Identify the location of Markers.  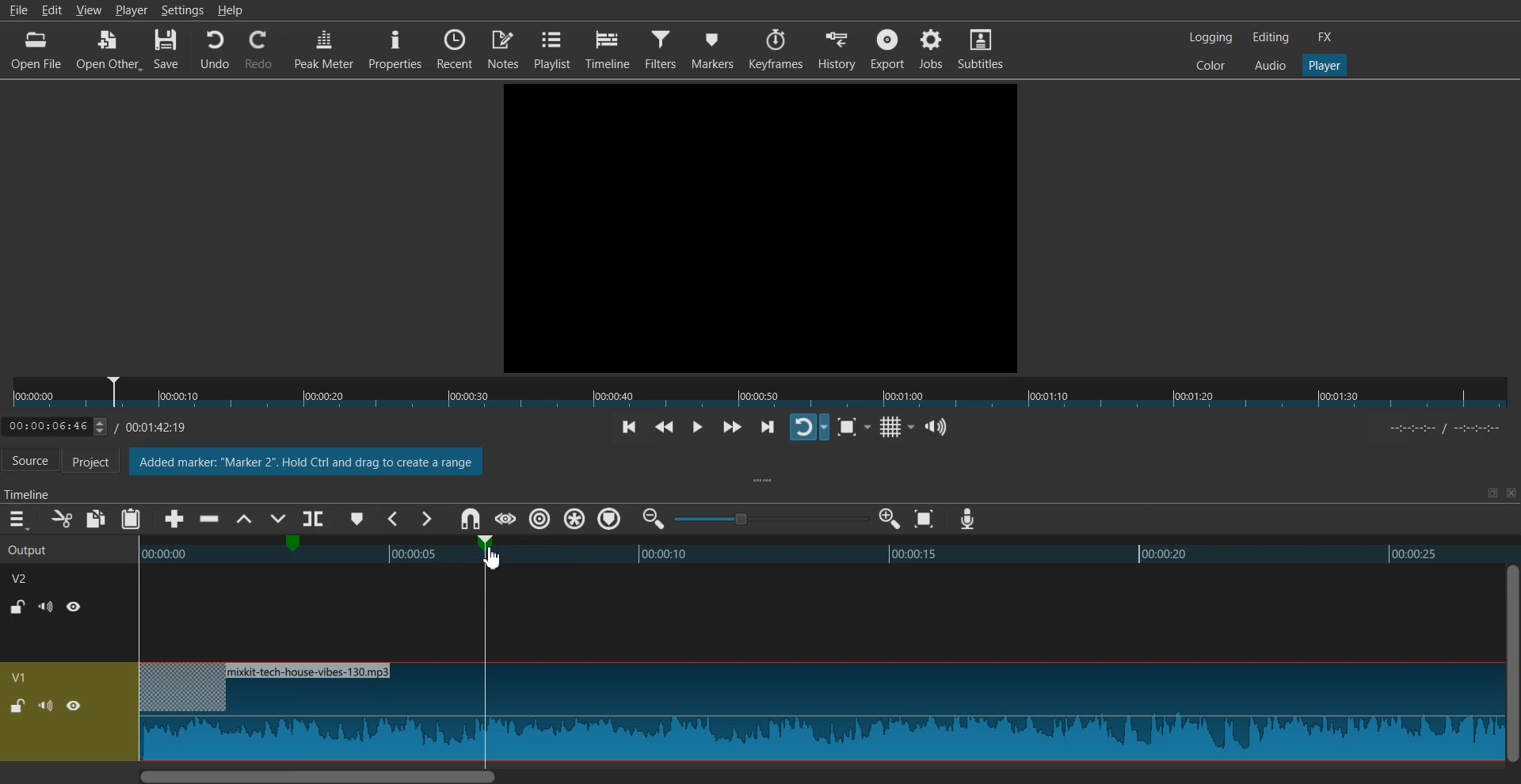
(713, 48).